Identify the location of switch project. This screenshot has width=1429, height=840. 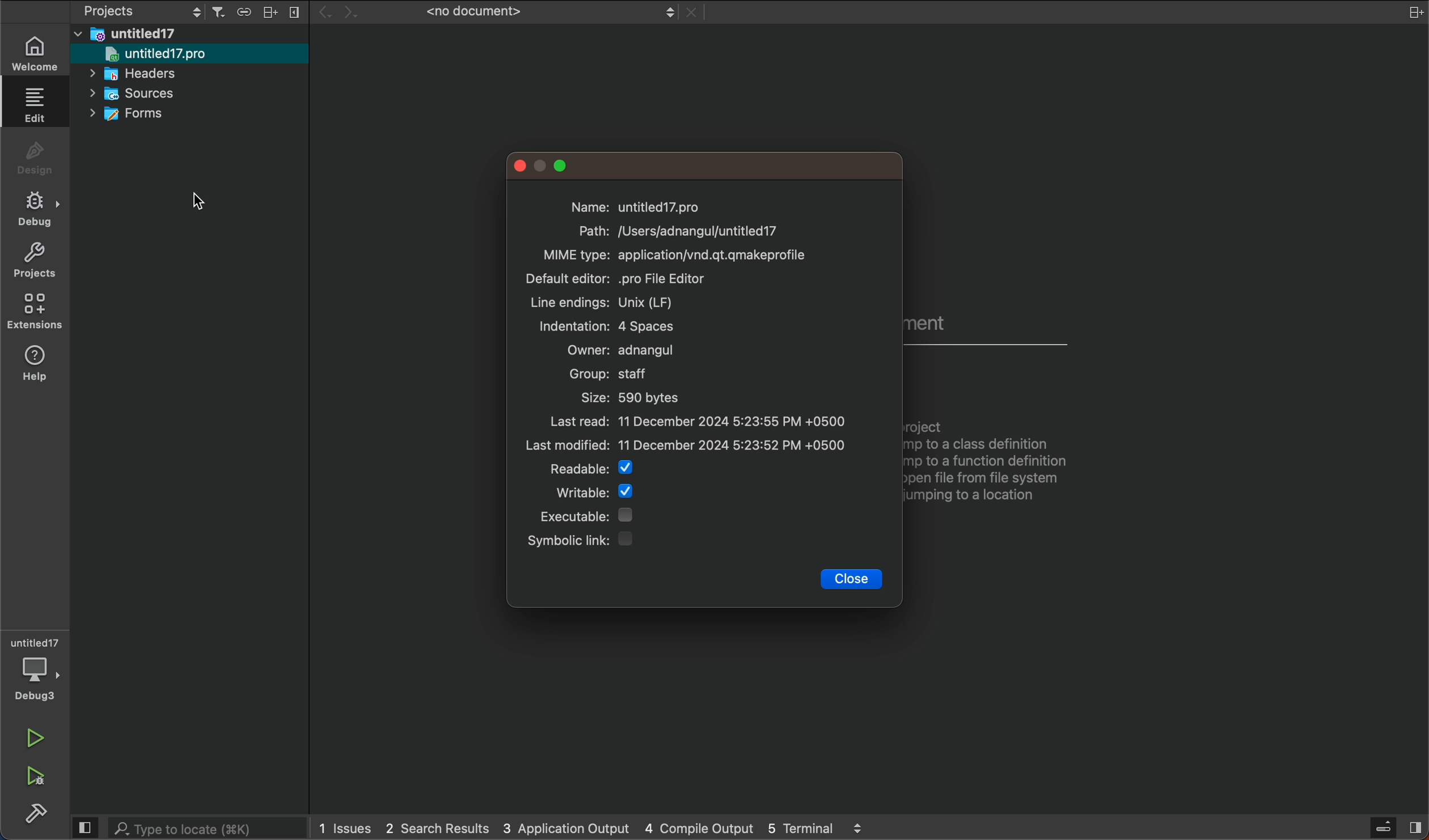
(137, 12).